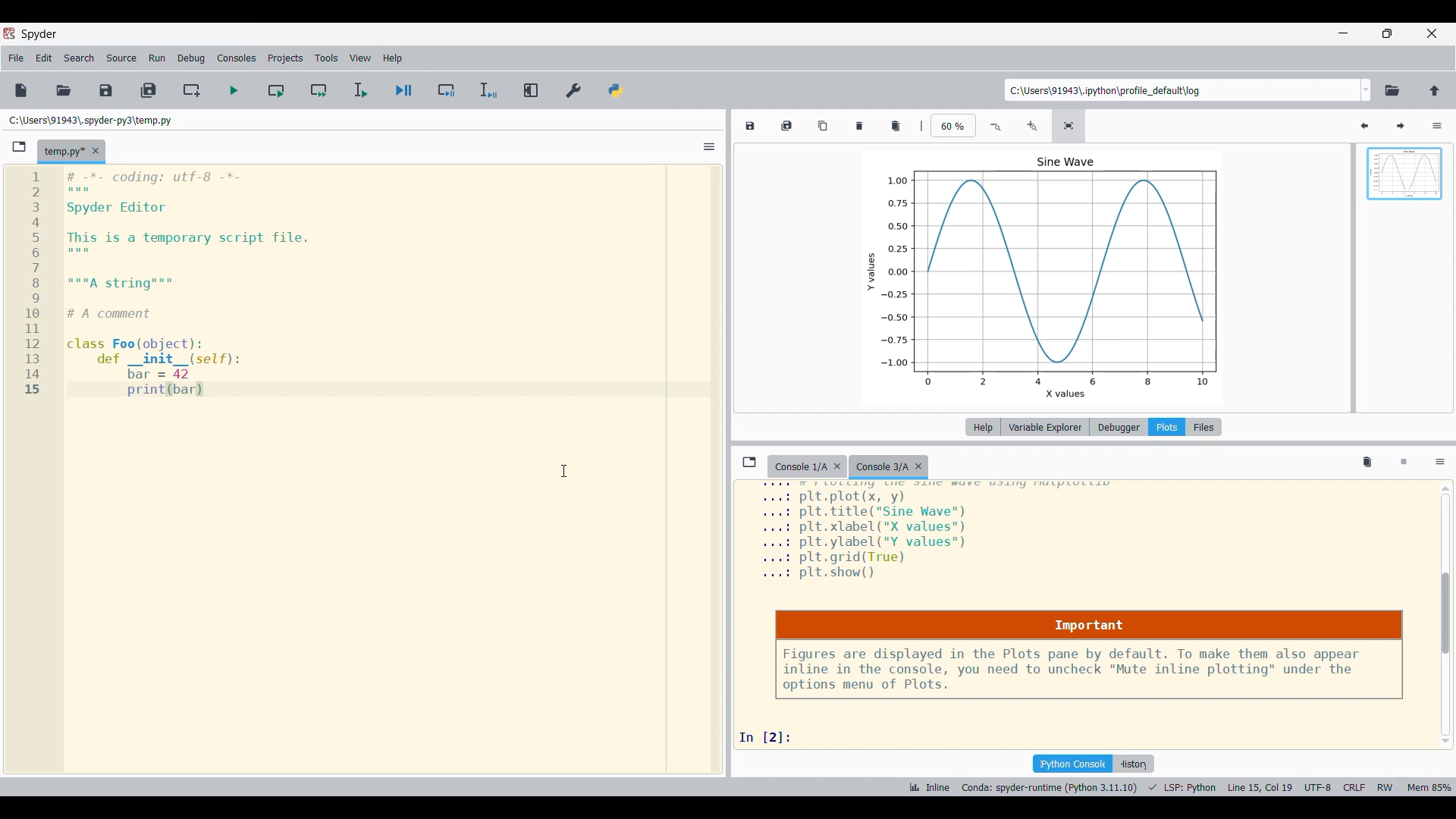  I want to click on Close tab, so click(96, 151).